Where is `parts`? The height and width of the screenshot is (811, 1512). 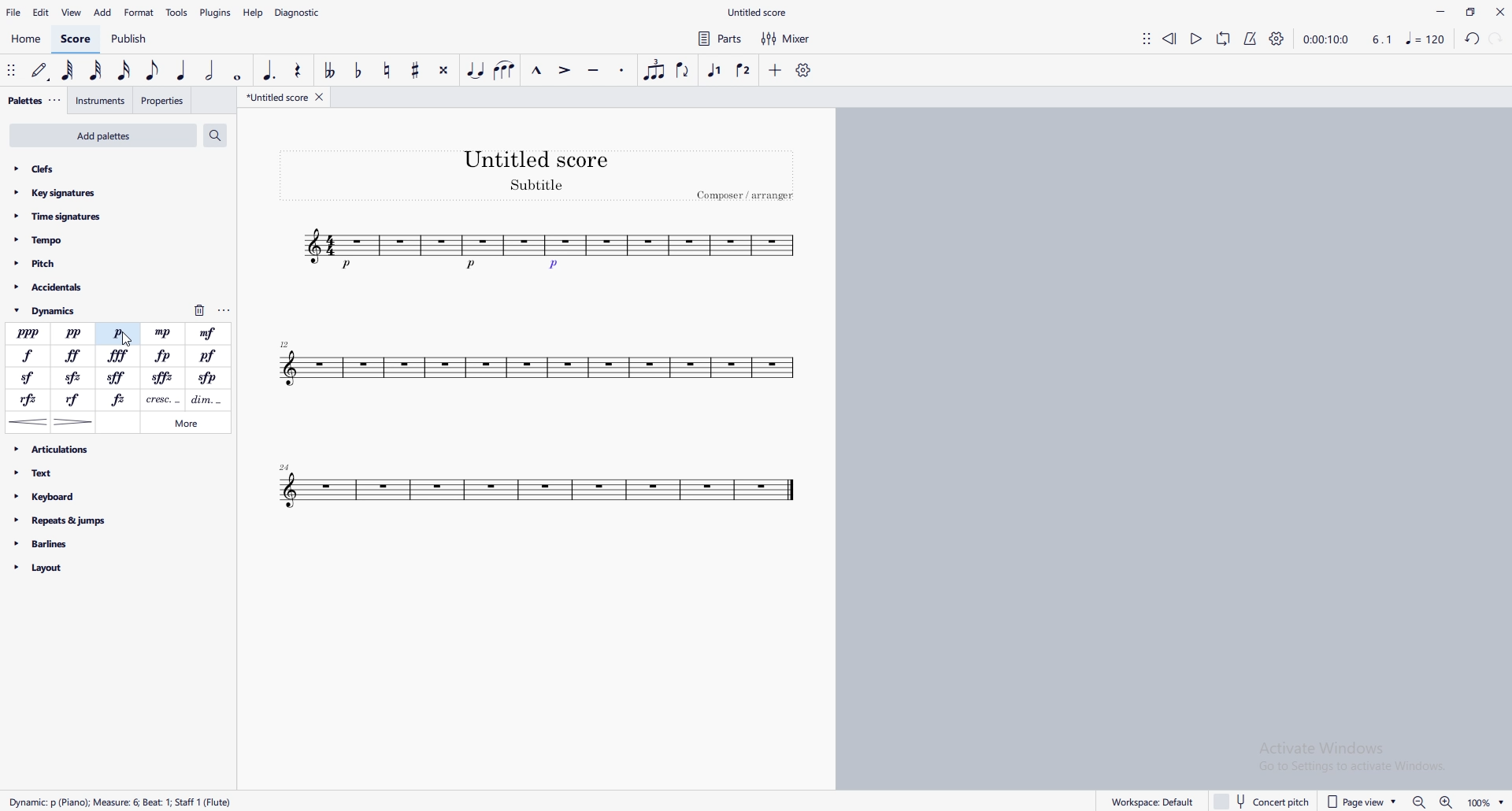
parts is located at coordinates (722, 39).